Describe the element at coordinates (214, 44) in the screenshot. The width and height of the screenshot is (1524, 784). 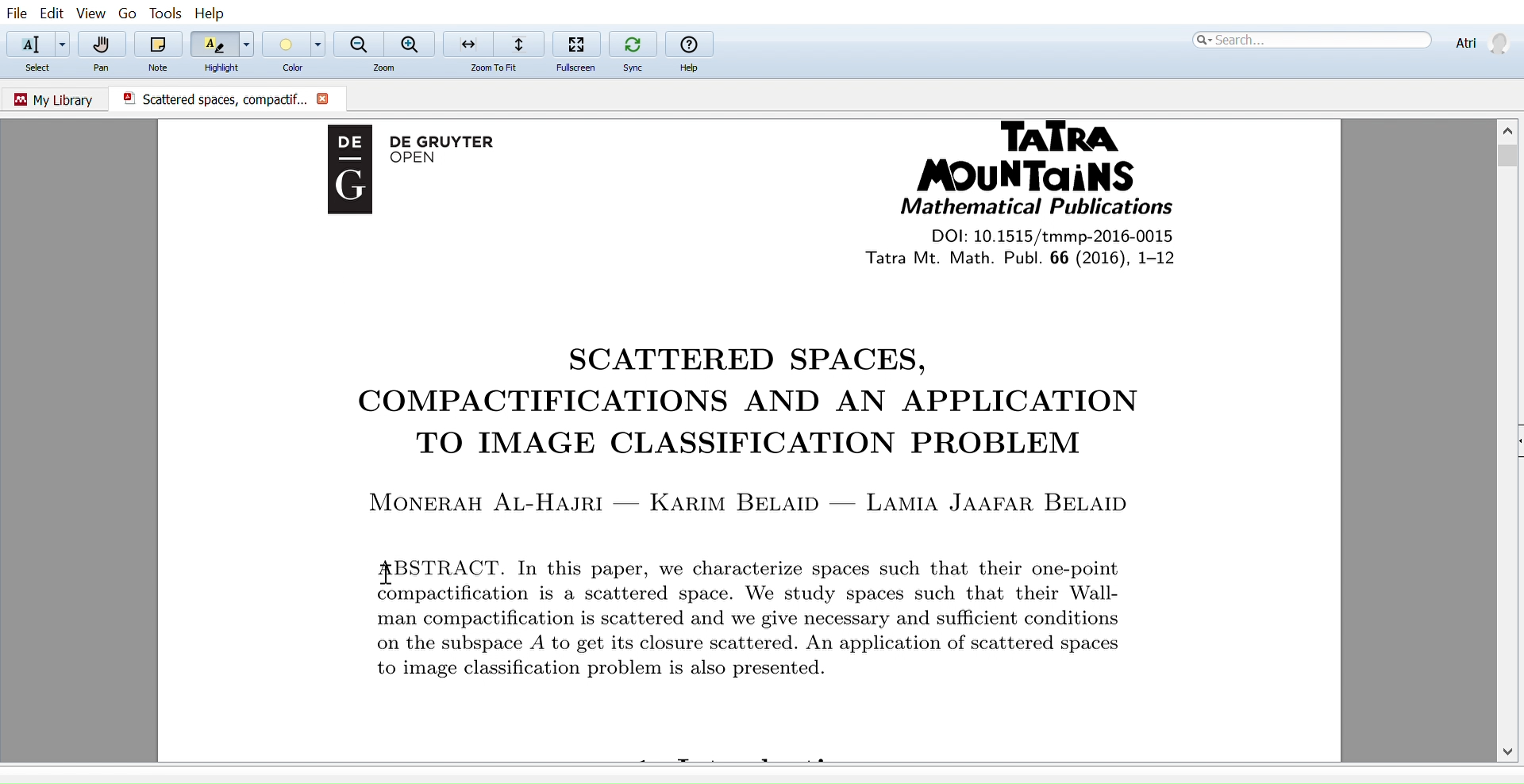
I see `Highlight` at that location.